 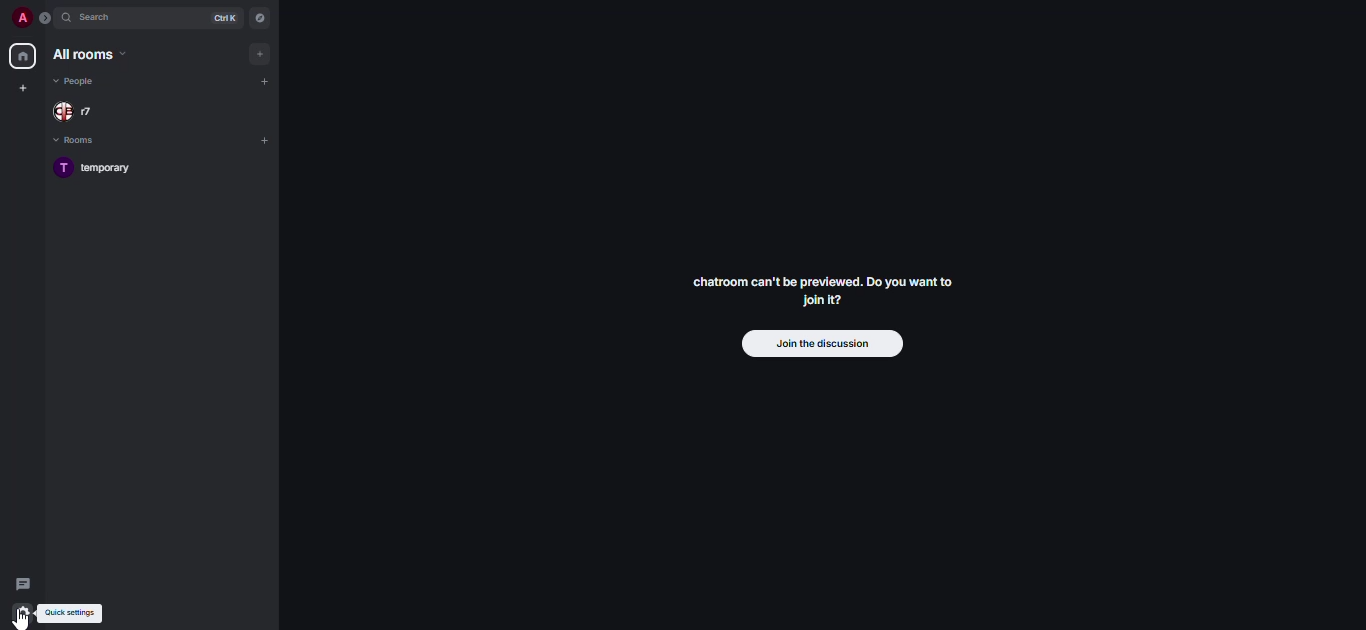 I want to click on quick settings, so click(x=70, y=612).